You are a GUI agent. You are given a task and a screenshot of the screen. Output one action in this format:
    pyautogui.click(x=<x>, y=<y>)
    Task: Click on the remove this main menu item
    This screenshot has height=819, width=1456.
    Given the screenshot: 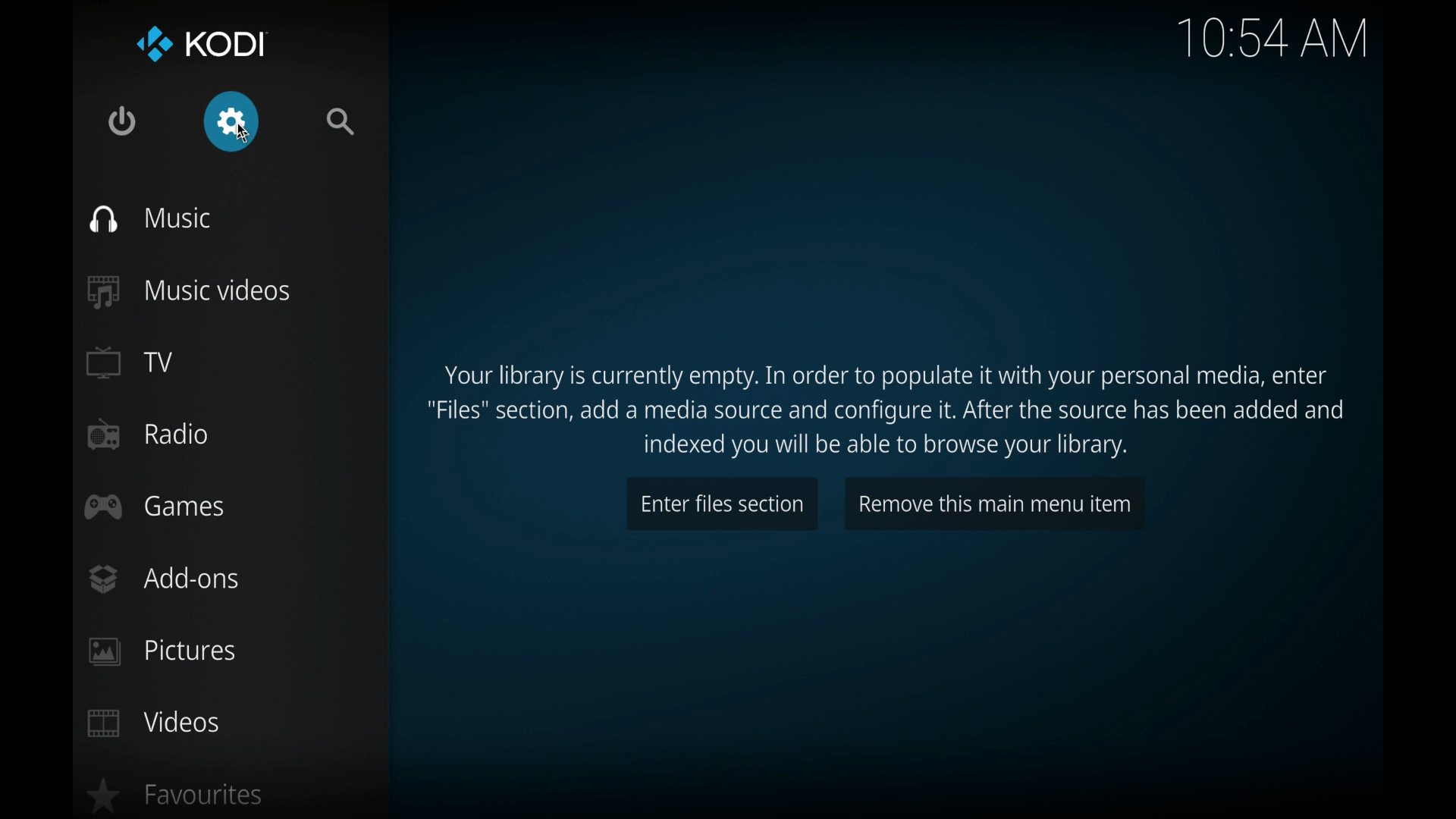 What is the action you would take?
    pyautogui.click(x=993, y=503)
    